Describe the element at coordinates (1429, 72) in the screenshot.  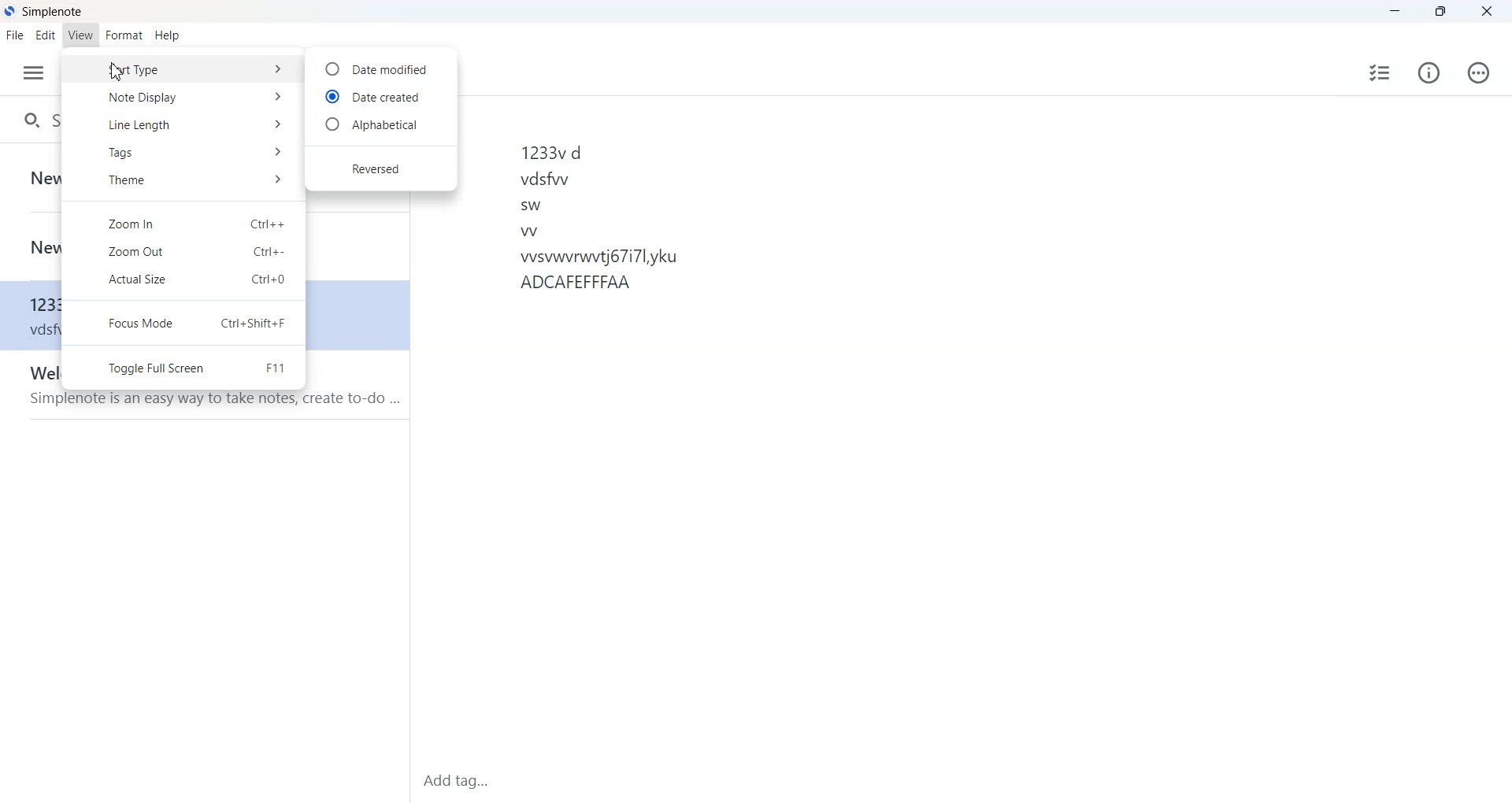
I see `Info` at that location.